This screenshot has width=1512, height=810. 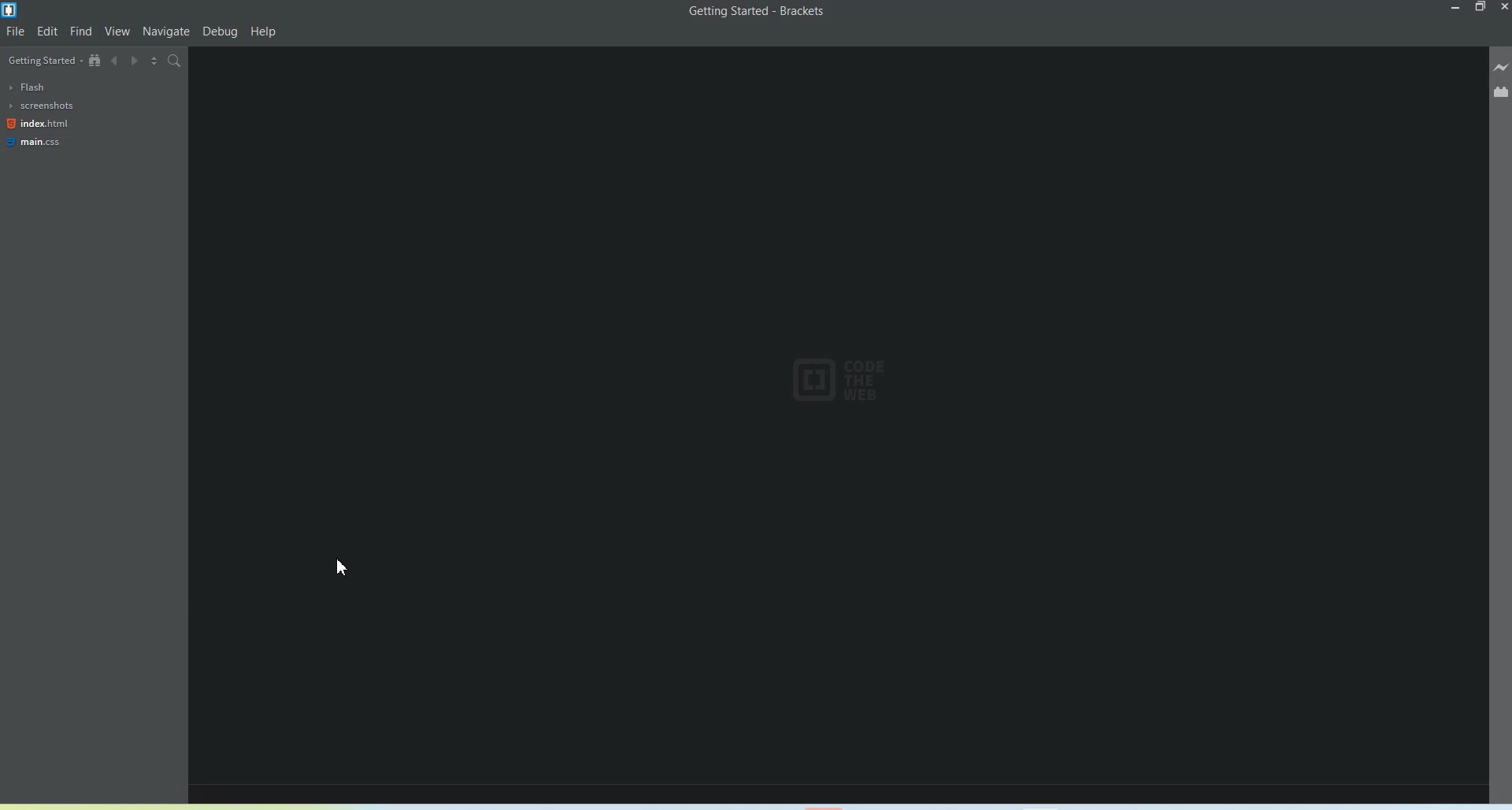 I want to click on View in file tree, so click(x=95, y=60).